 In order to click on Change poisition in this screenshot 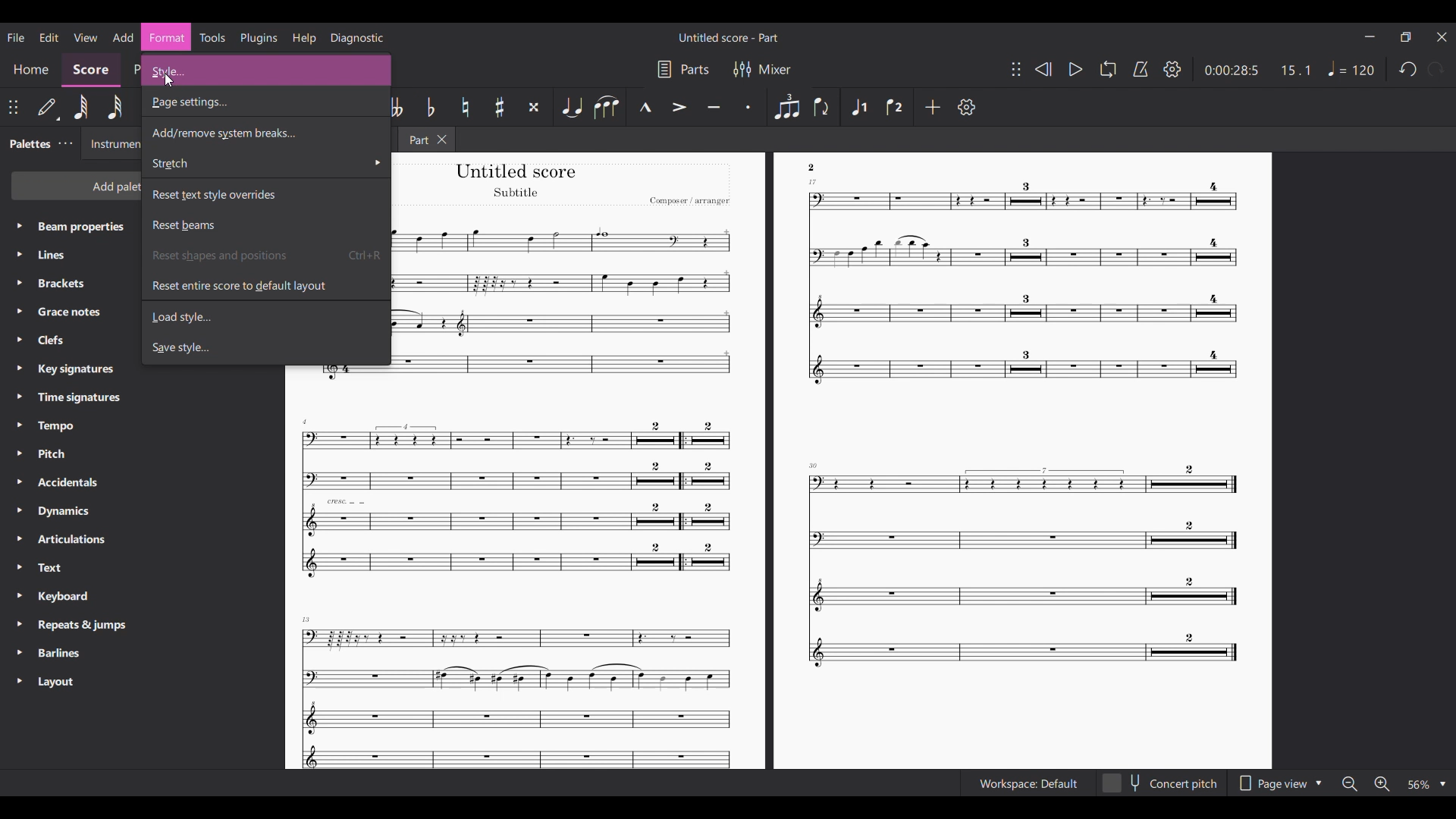, I will do `click(12, 108)`.